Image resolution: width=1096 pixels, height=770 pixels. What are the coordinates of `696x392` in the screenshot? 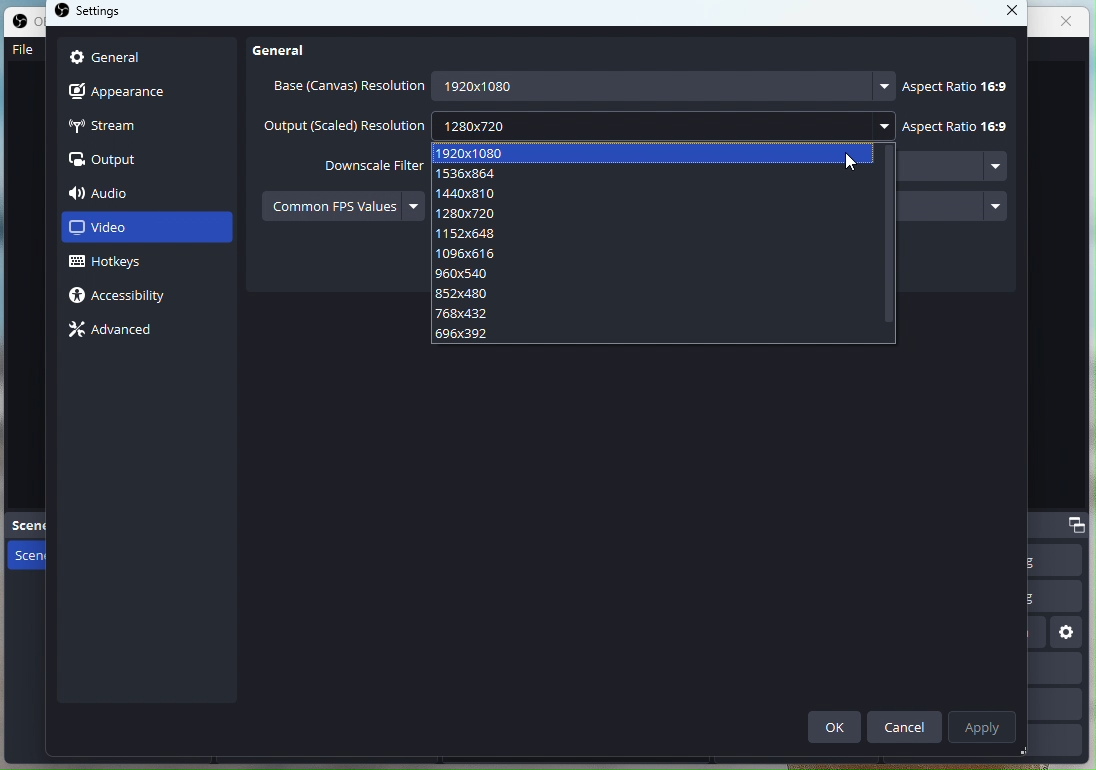 It's located at (650, 336).